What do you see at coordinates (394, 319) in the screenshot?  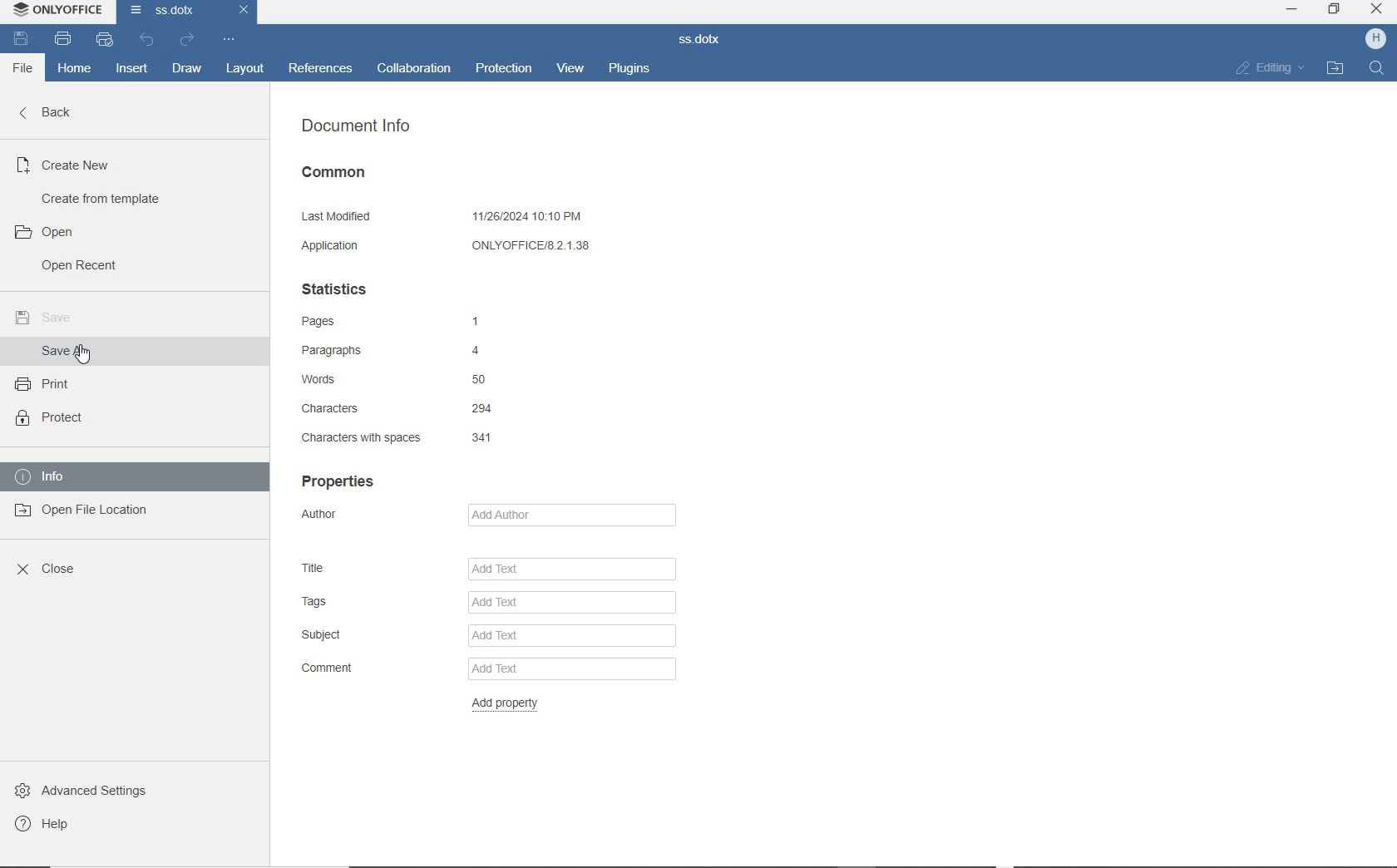 I see `PAGES` at bounding box center [394, 319].